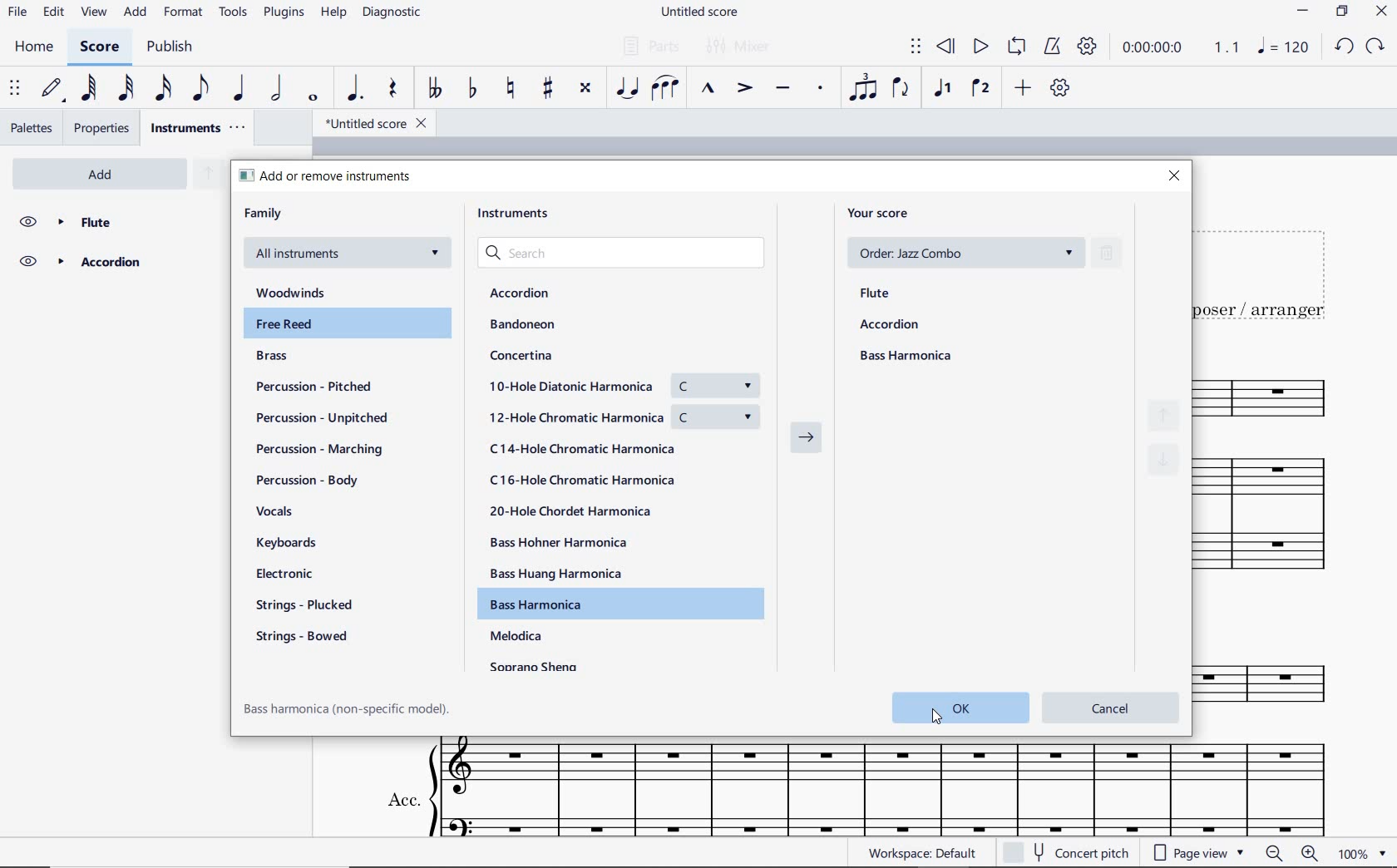 This screenshot has width=1397, height=868. I want to click on file name, so click(369, 122).